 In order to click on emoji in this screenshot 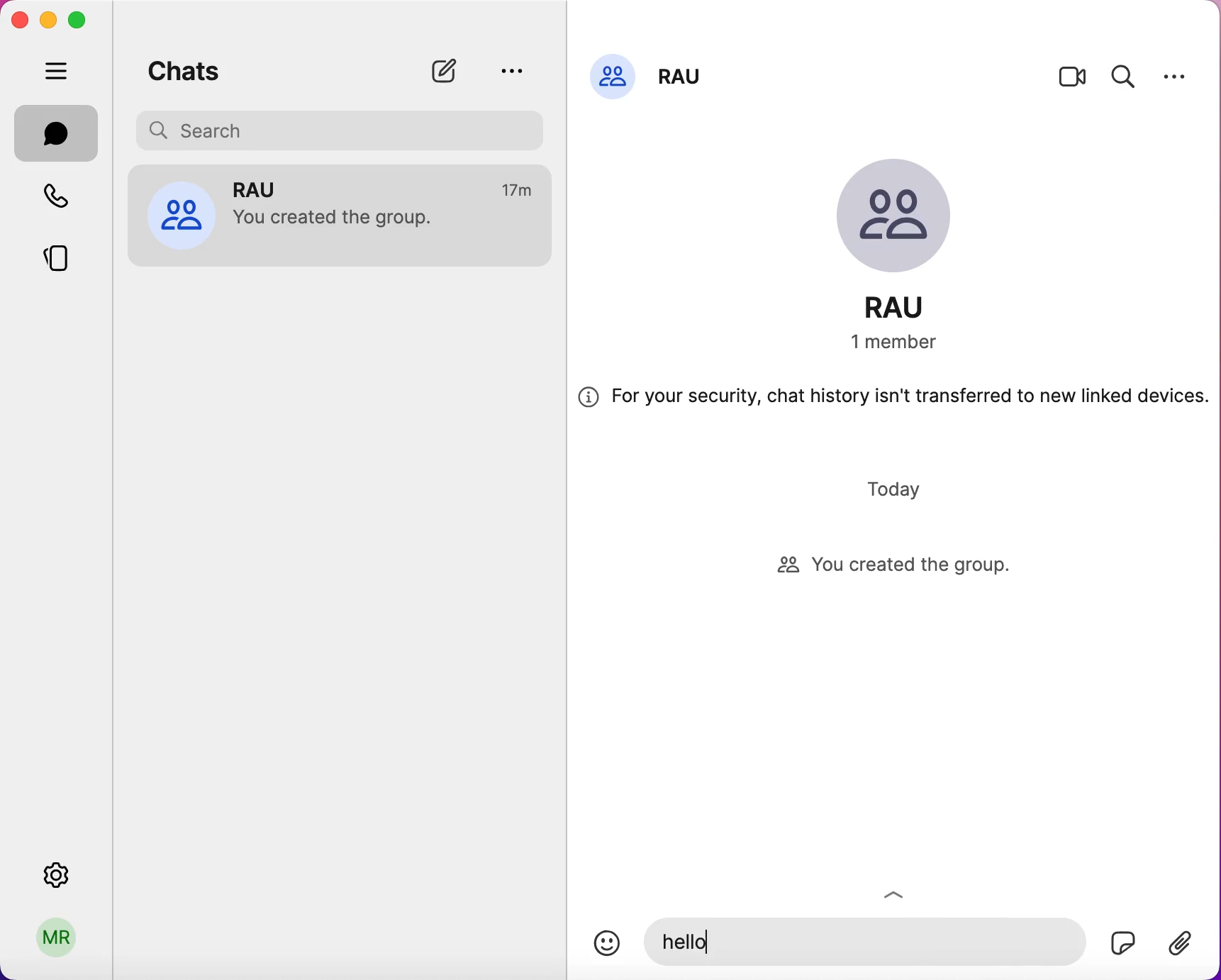, I will do `click(607, 943)`.